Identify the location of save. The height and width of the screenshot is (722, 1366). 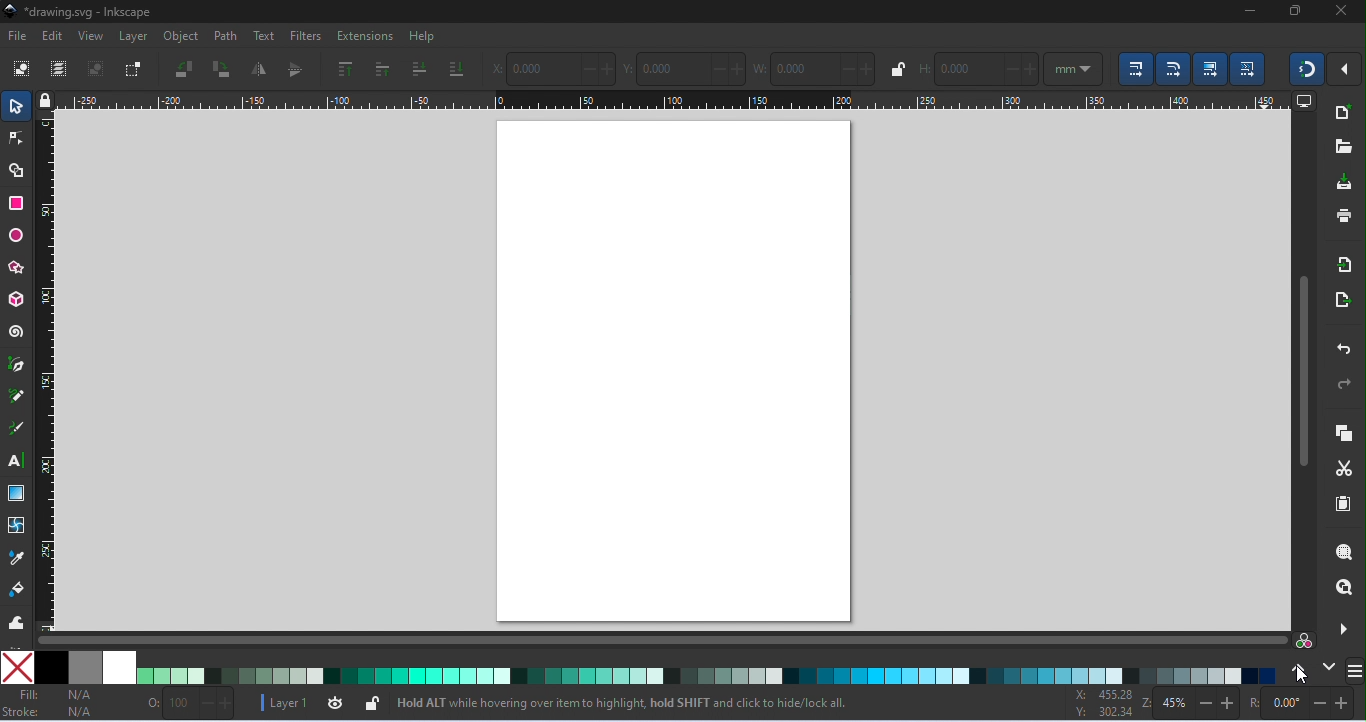
(1346, 180).